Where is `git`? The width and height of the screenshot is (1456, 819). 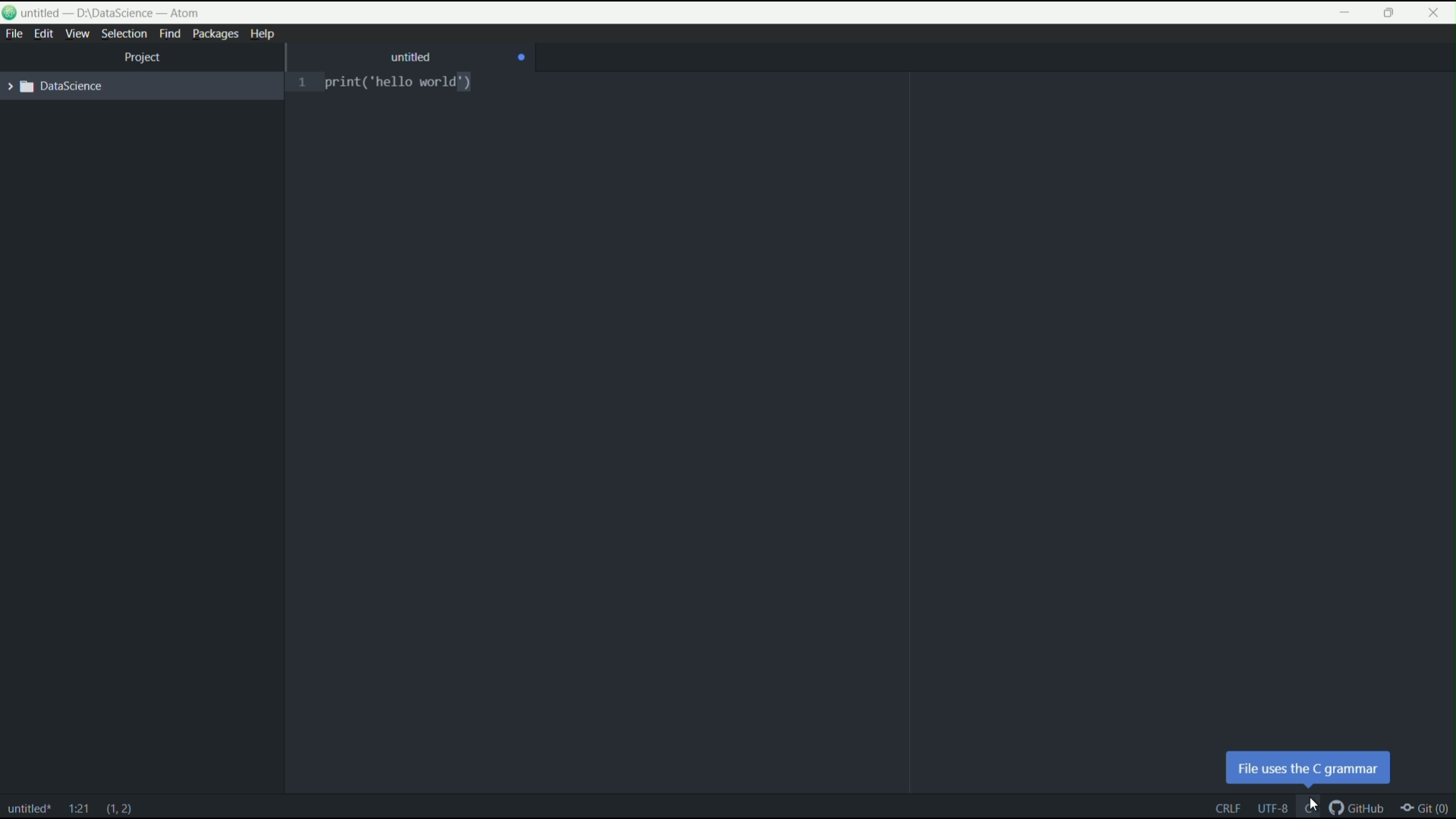
git is located at coordinates (1429, 810).